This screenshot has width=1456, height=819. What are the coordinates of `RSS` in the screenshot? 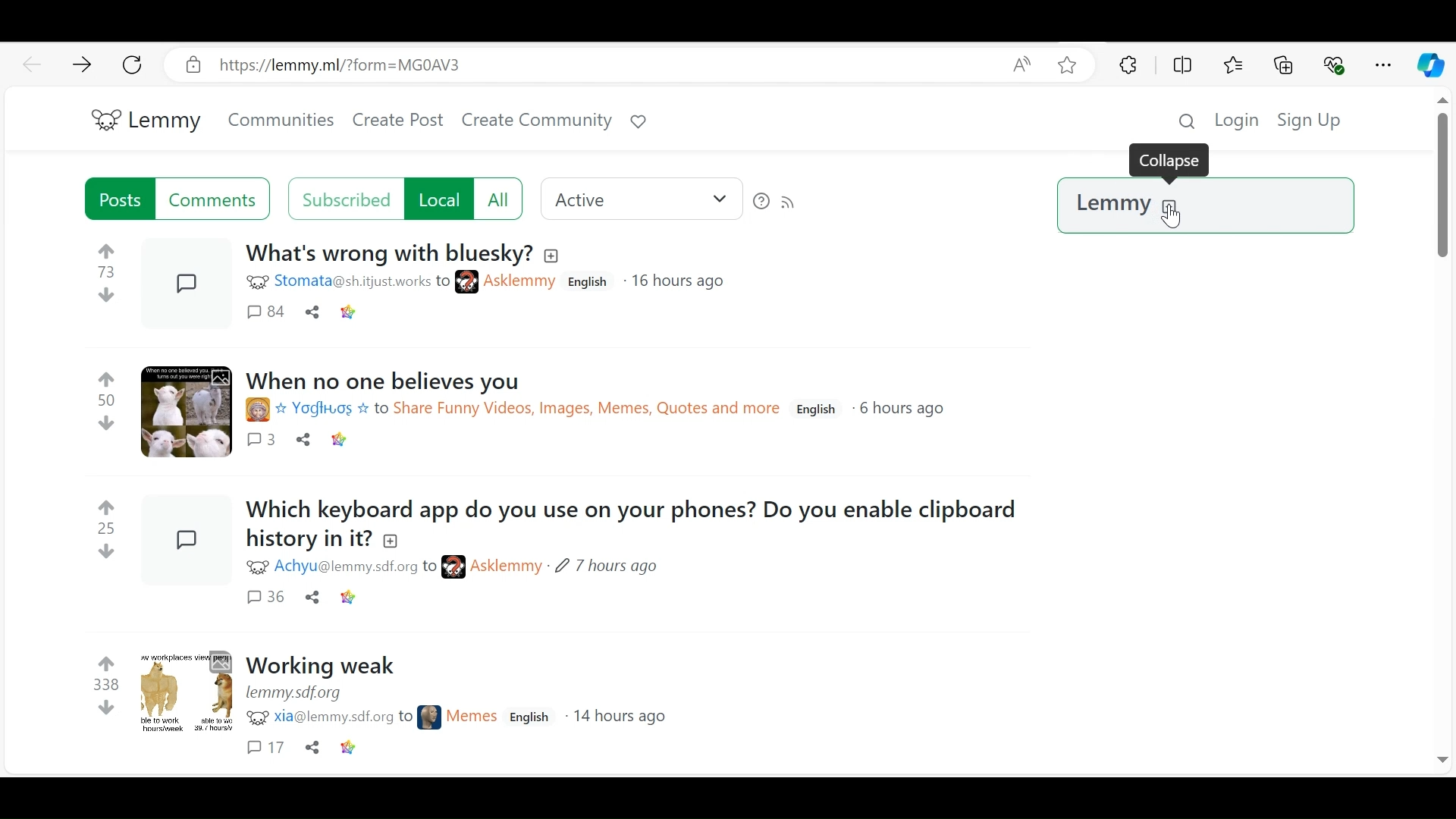 It's located at (789, 202).